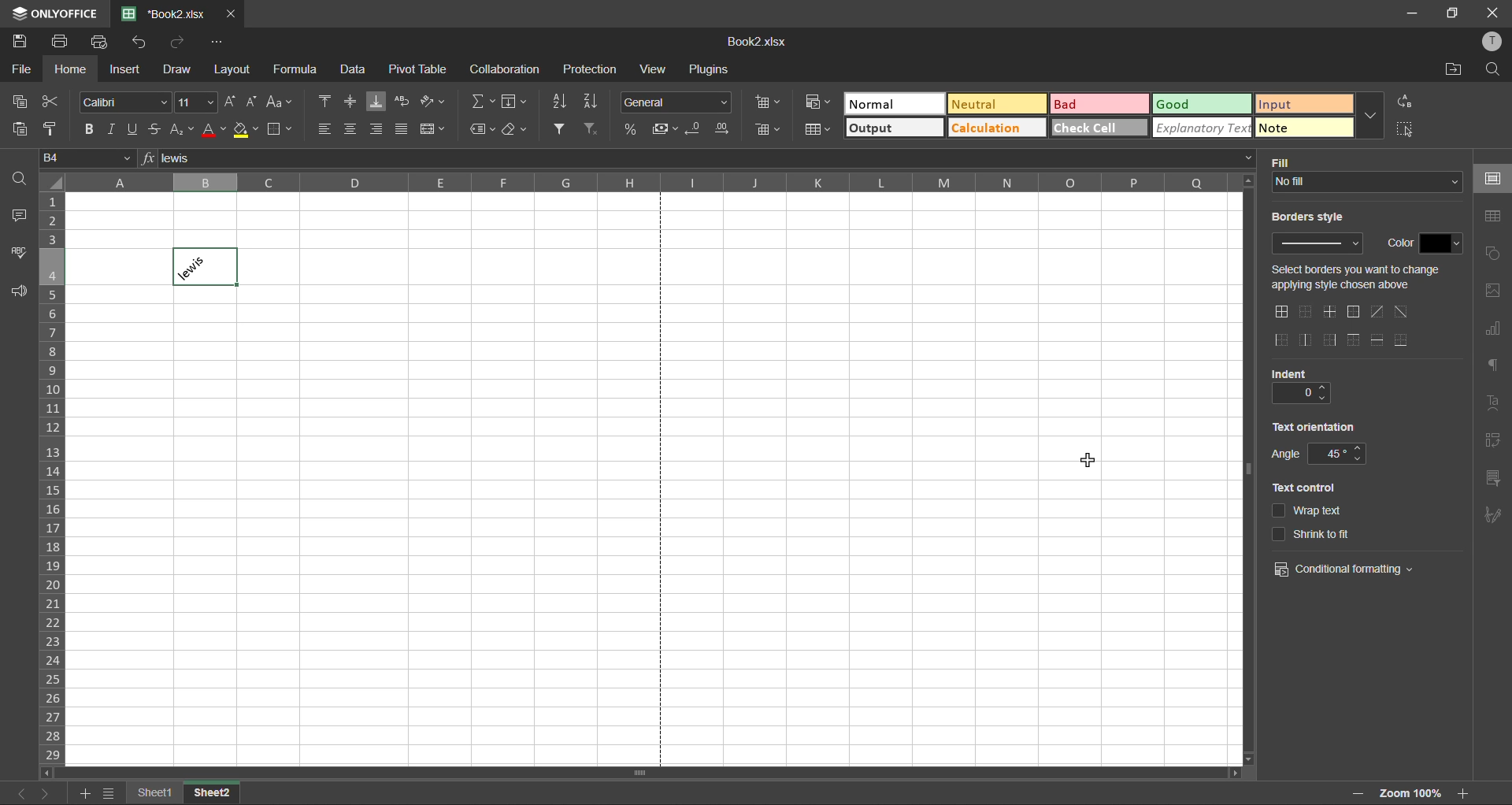 Image resolution: width=1512 pixels, height=805 pixels. Describe the element at coordinates (483, 128) in the screenshot. I see `named ranges` at that location.